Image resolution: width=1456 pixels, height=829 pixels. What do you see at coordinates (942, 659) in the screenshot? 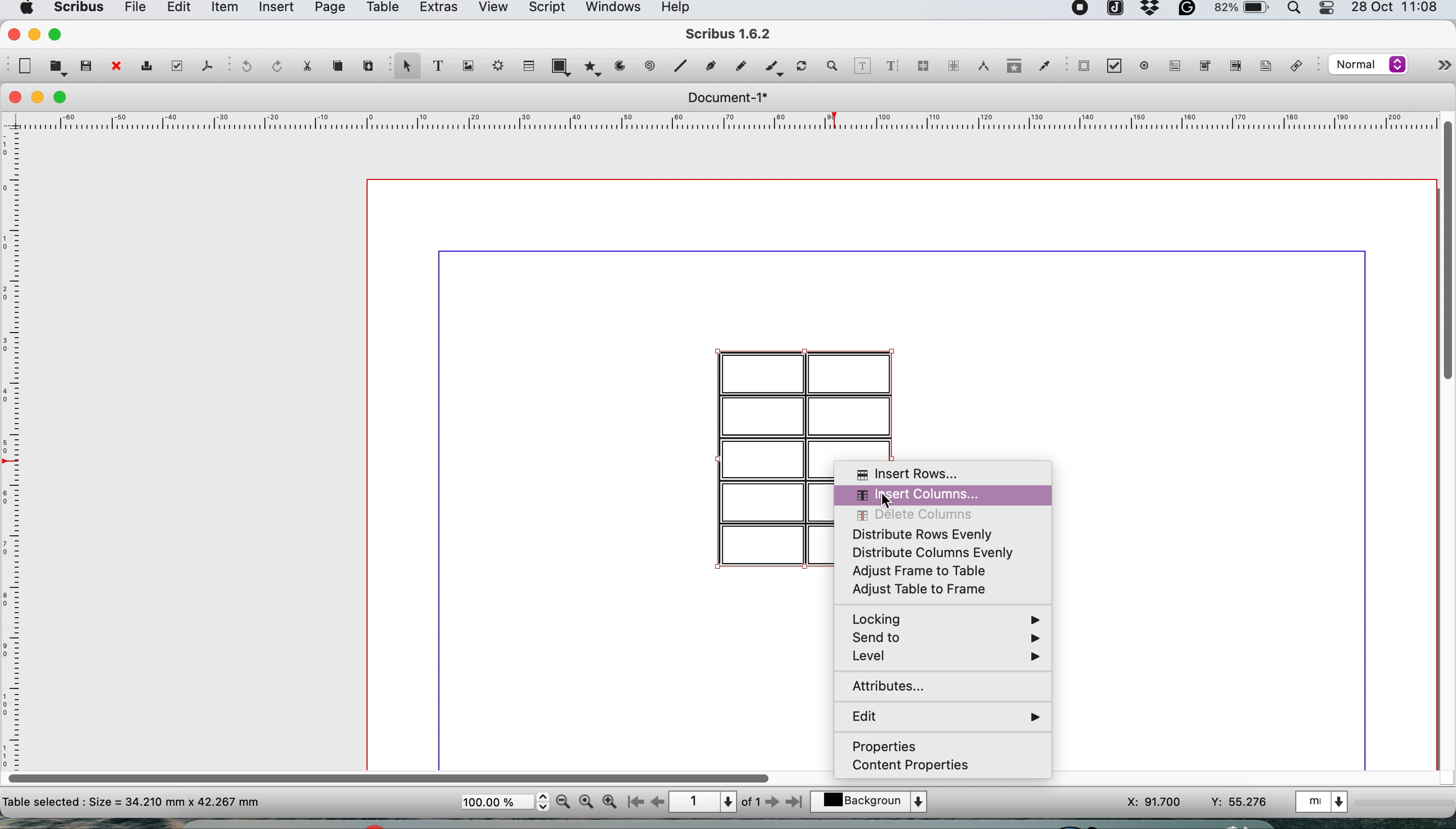
I see `level ` at bounding box center [942, 659].